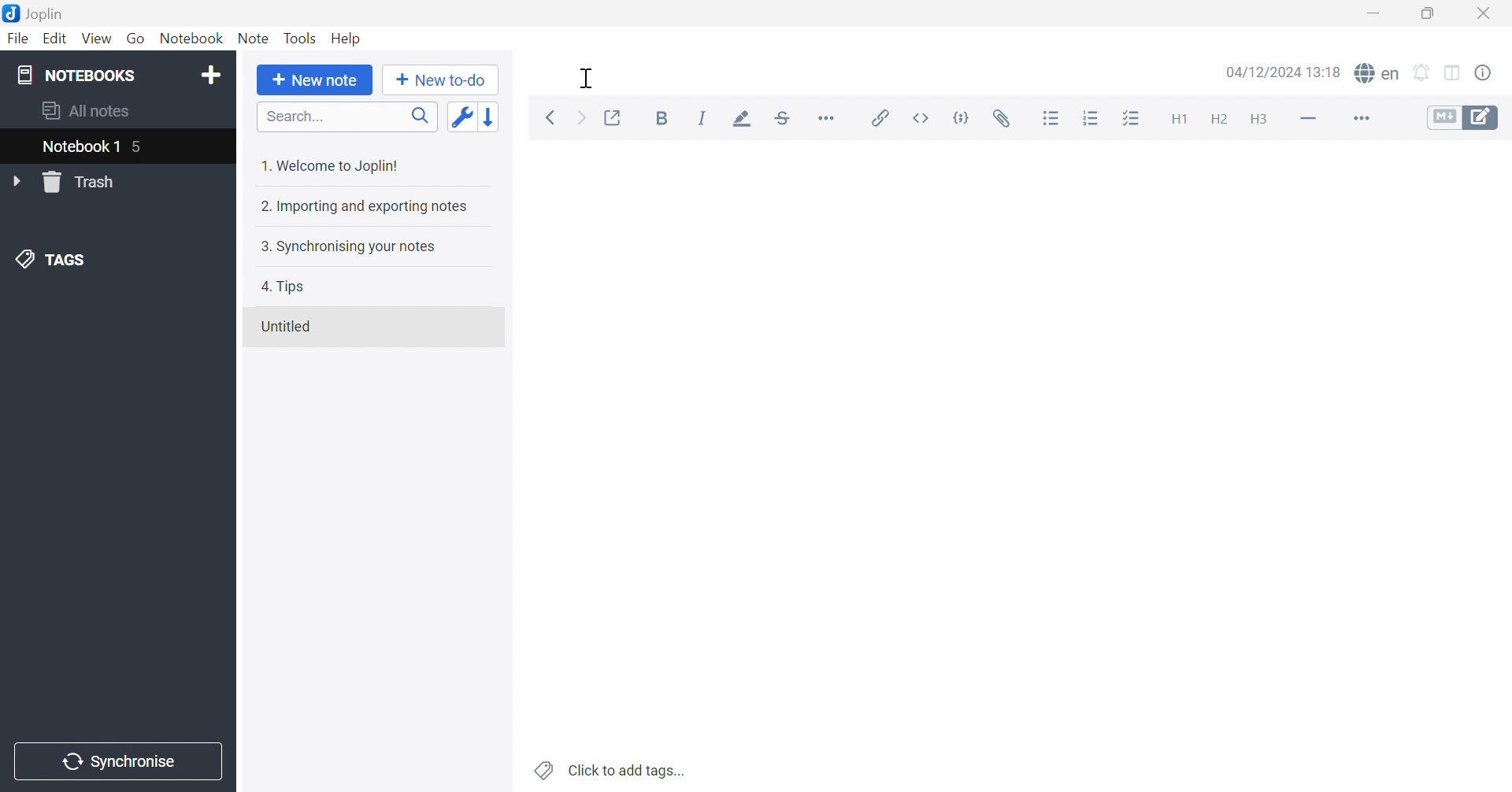  I want to click on Checkbox list, so click(1128, 120).